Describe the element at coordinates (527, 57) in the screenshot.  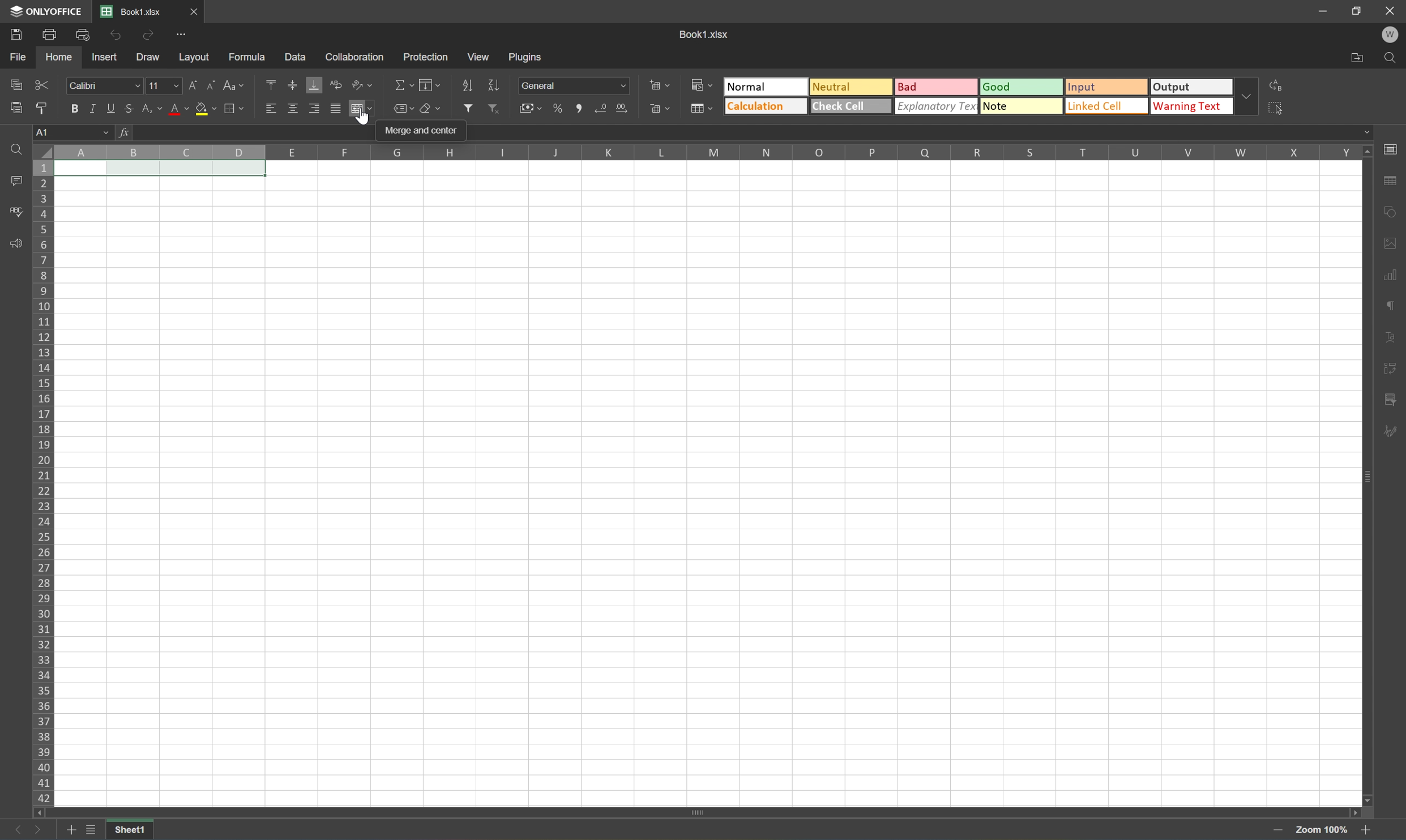
I see `Plugins` at that location.